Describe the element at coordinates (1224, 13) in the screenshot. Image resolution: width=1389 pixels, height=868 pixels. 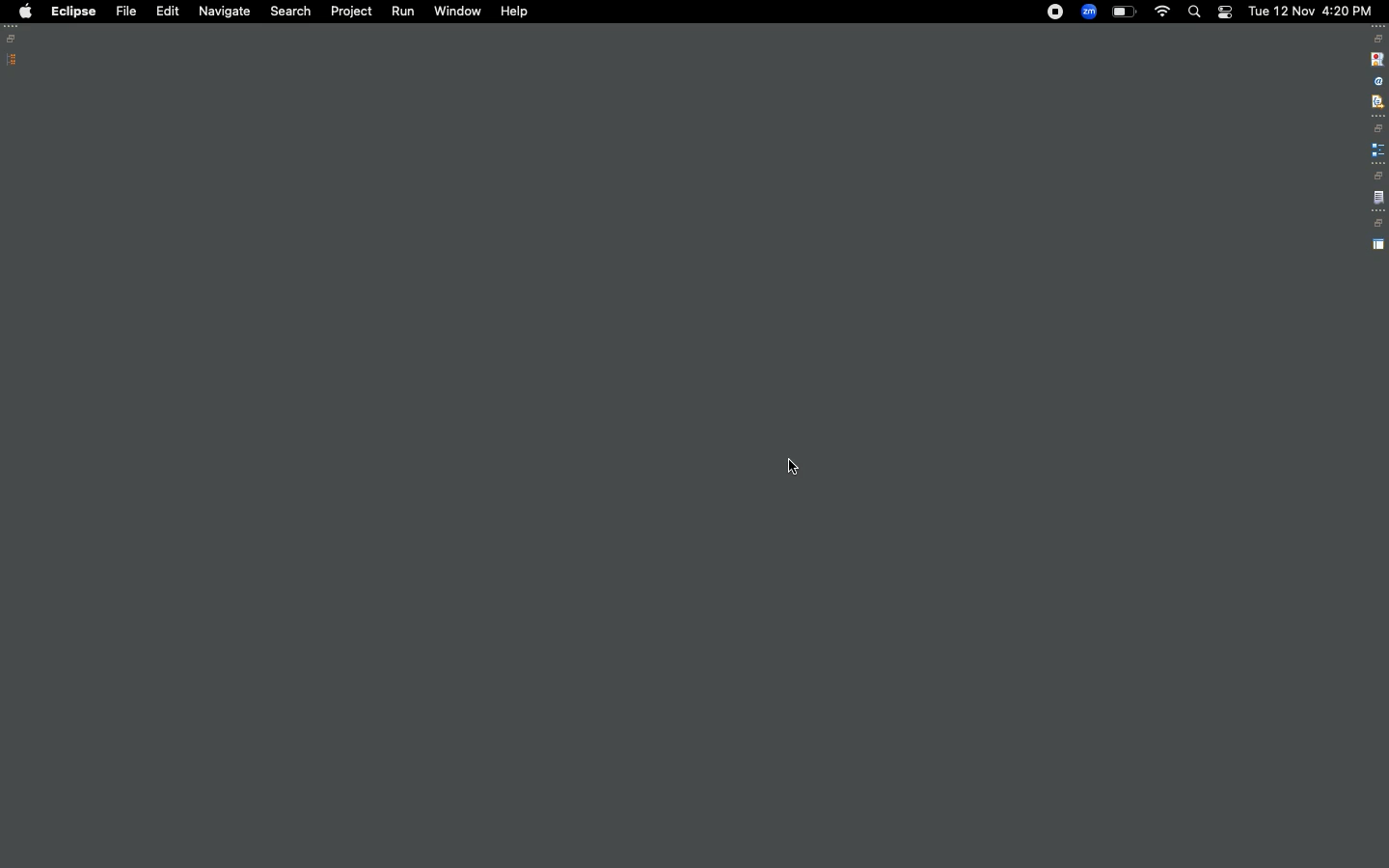
I see `Notification` at that location.